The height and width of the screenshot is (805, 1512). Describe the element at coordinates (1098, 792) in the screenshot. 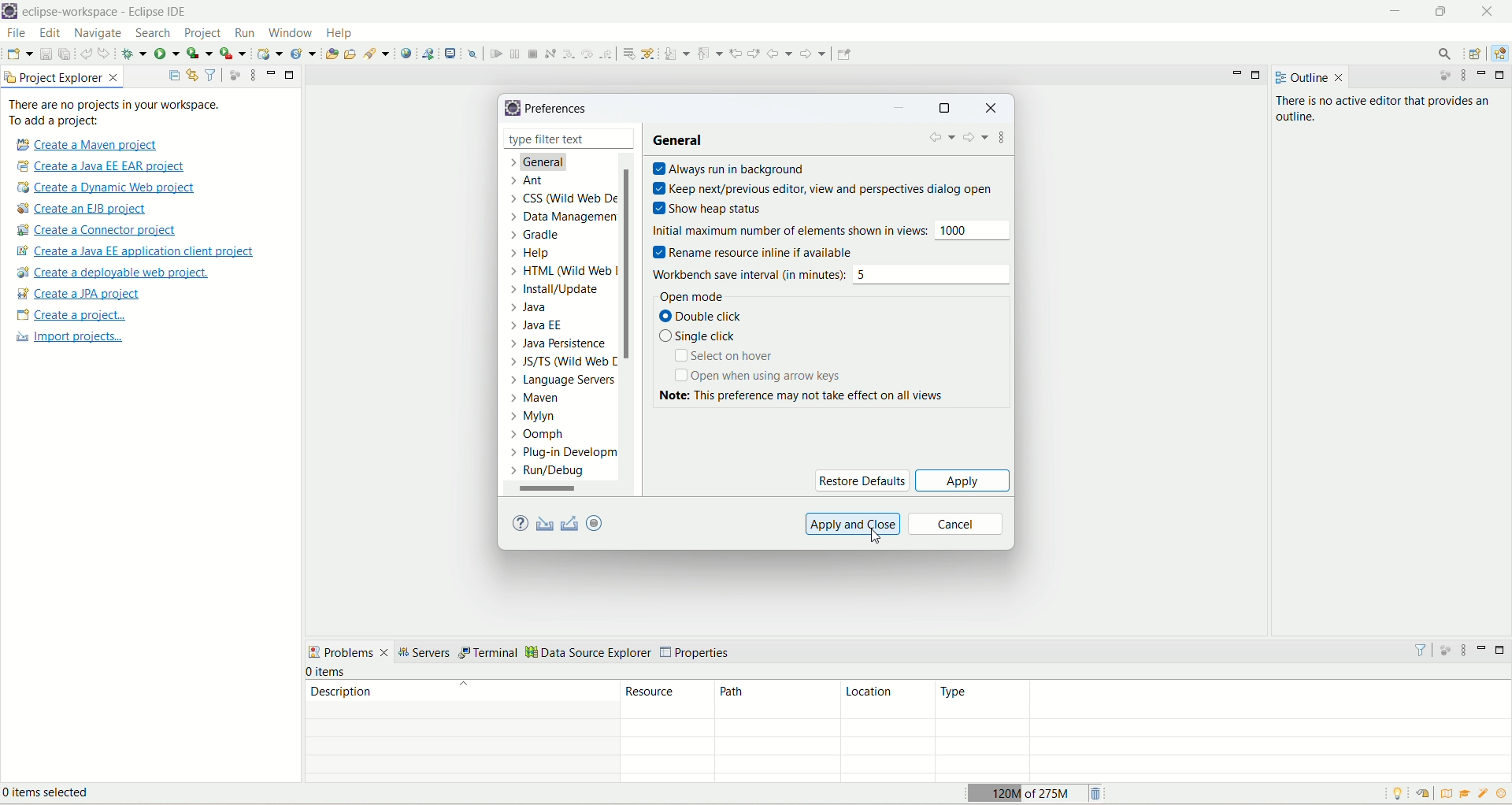

I see `Delete` at that location.